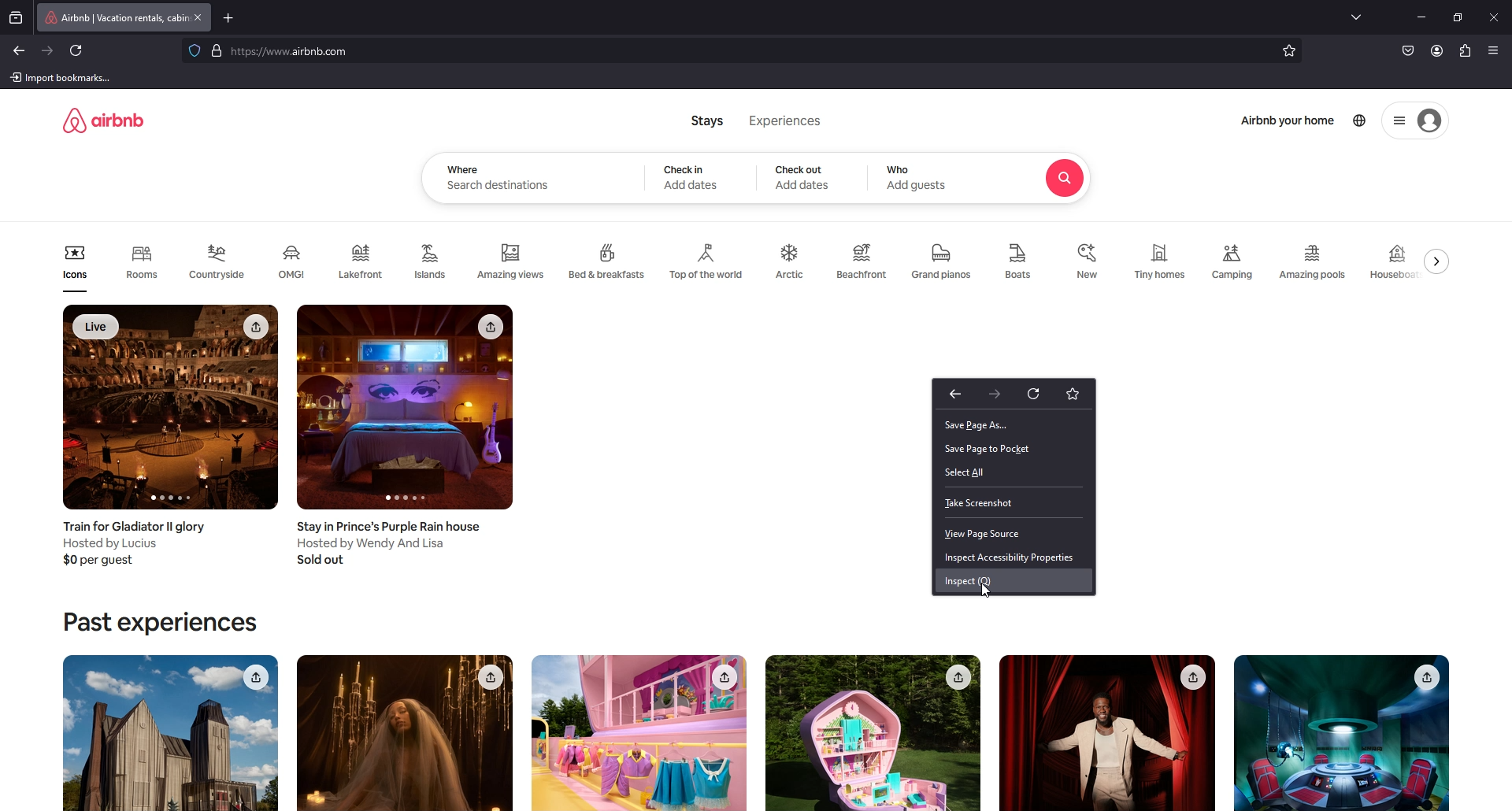 The height and width of the screenshot is (811, 1512). What do you see at coordinates (918, 185) in the screenshot?
I see `Add guests` at bounding box center [918, 185].